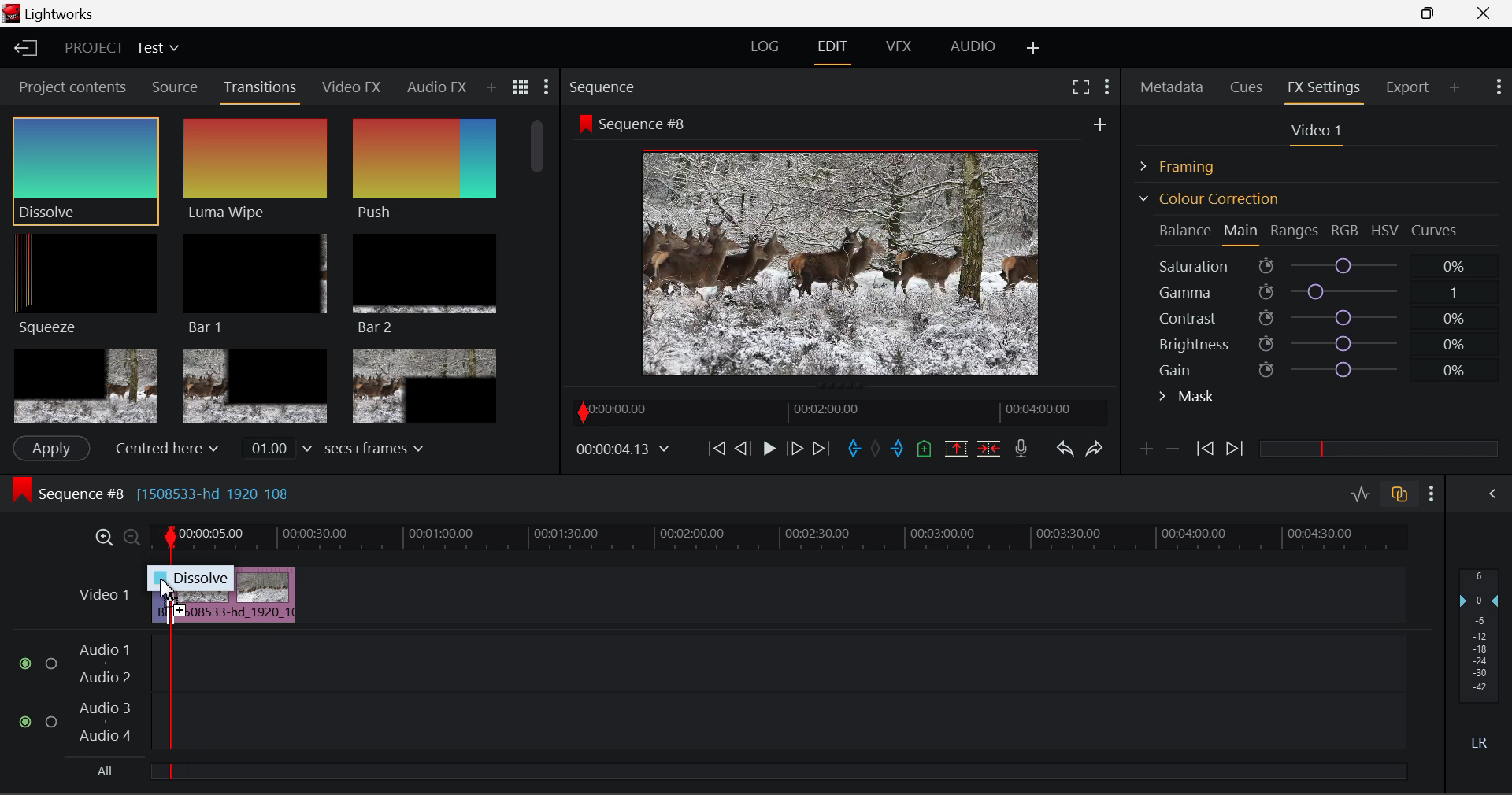  Describe the element at coordinates (1064, 452) in the screenshot. I see `Undo` at that location.